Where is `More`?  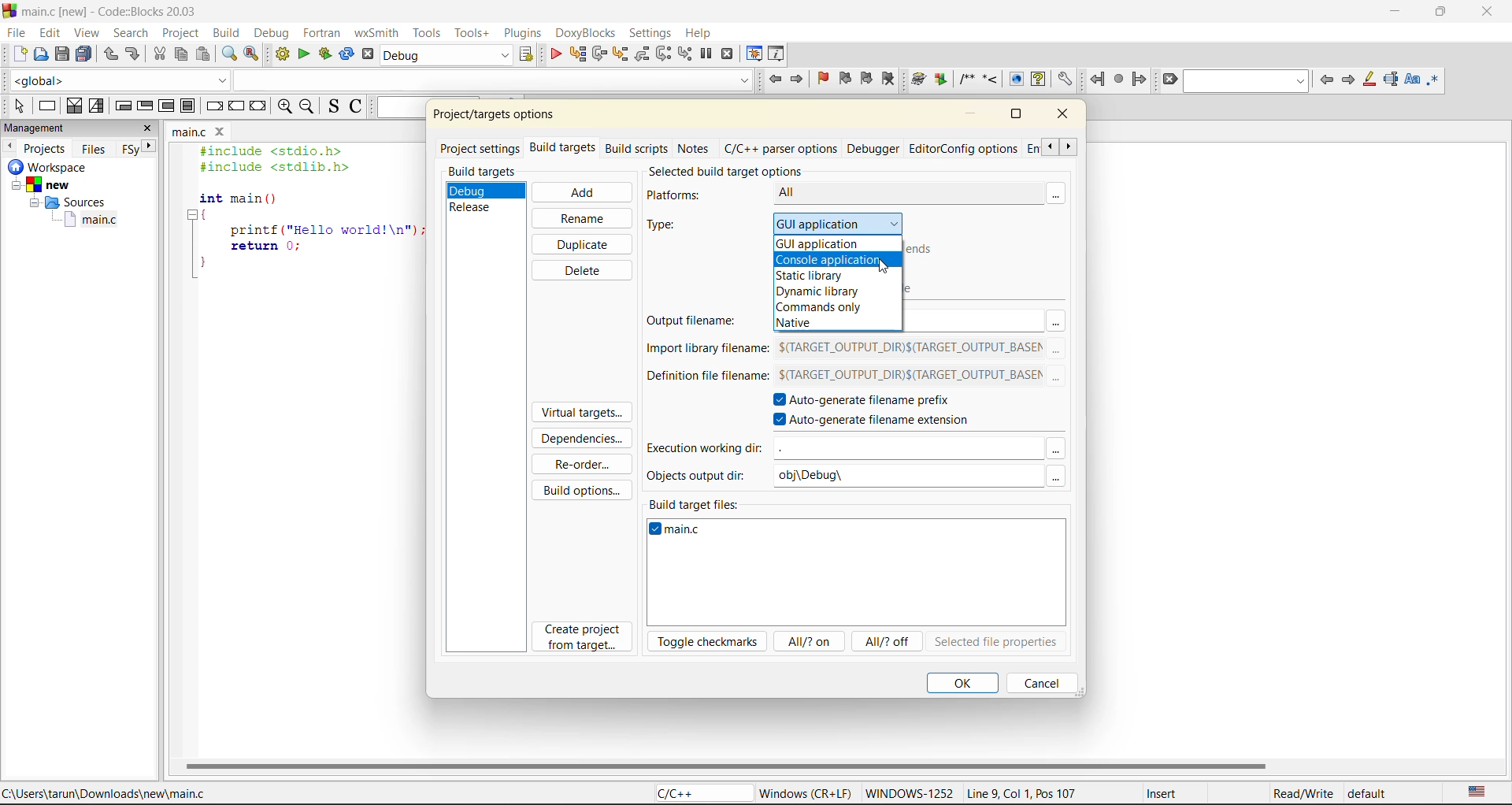
More is located at coordinates (1055, 450).